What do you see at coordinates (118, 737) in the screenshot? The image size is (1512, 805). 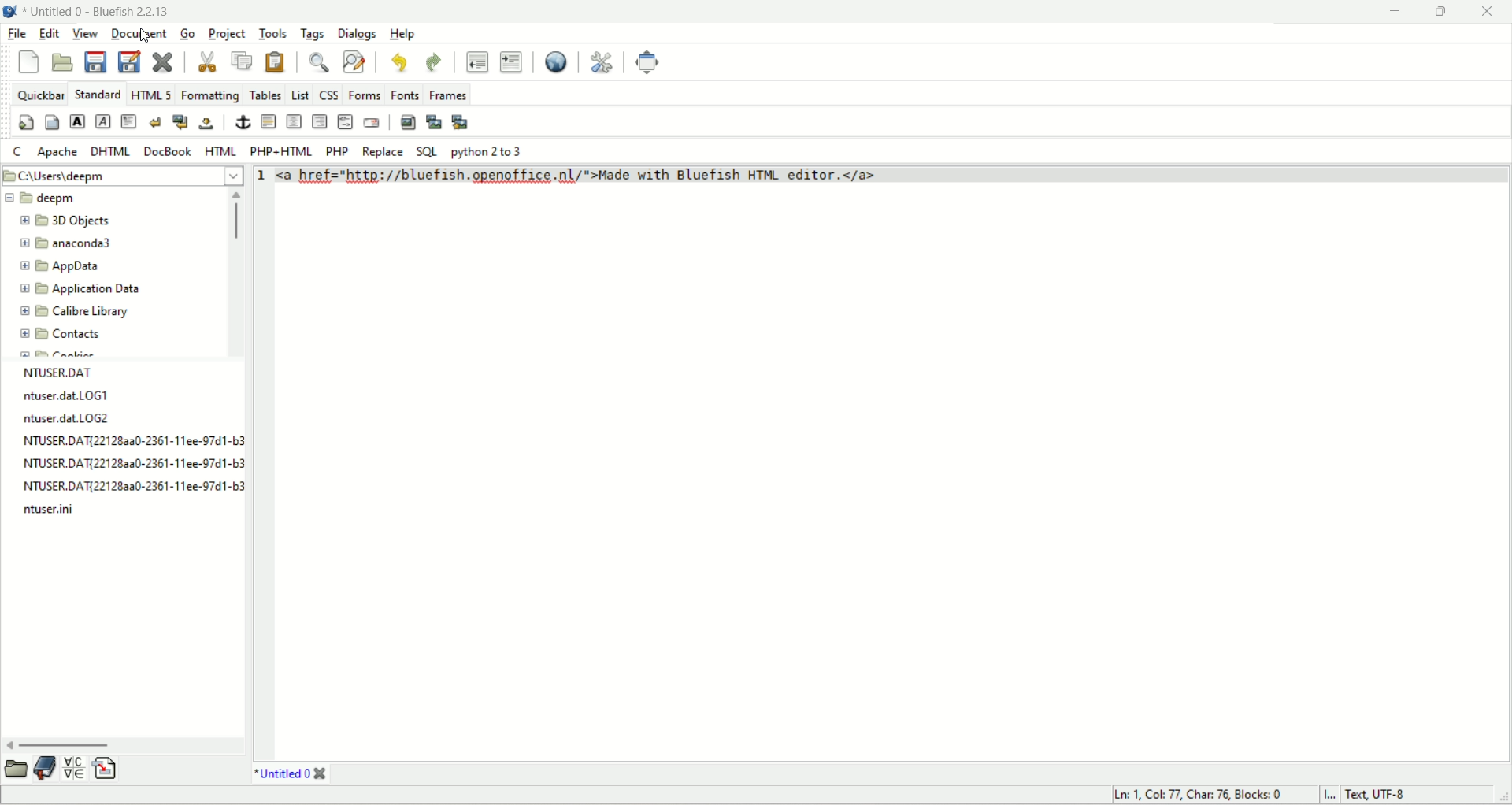 I see `horizontal scroll bar` at bounding box center [118, 737].